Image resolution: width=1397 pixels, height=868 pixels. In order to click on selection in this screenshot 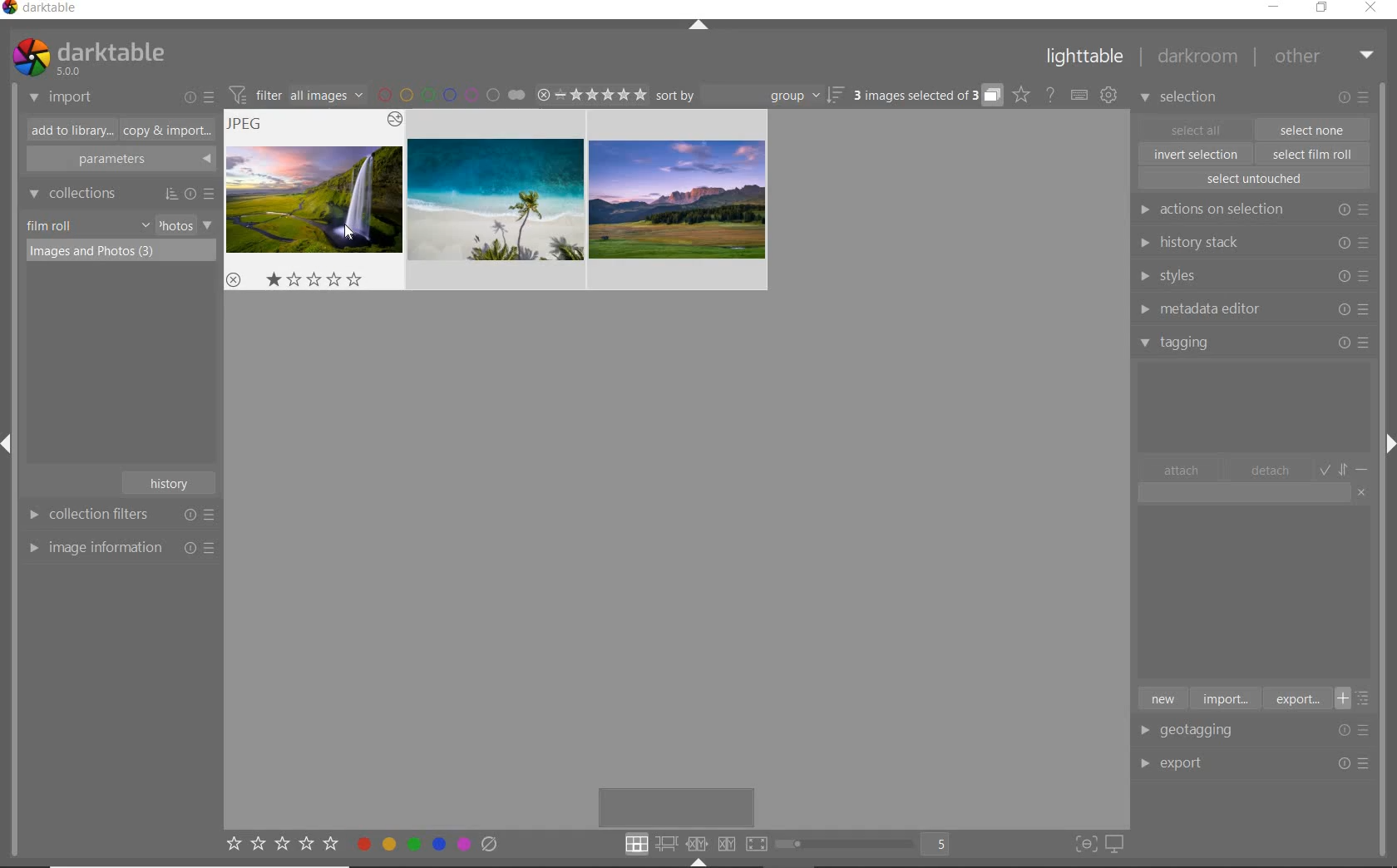, I will do `click(1181, 99)`.